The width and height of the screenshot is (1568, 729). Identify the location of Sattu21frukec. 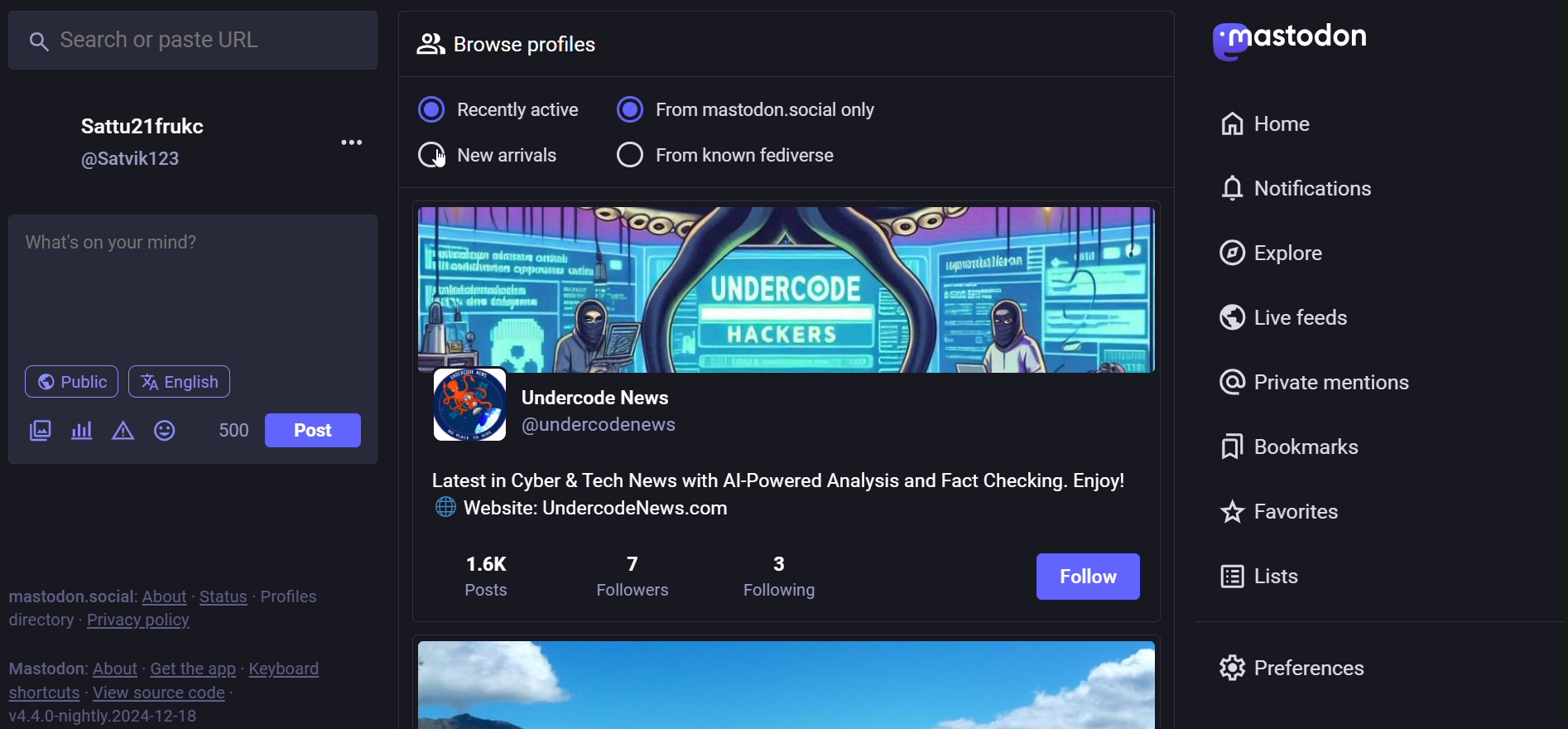
(161, 119).